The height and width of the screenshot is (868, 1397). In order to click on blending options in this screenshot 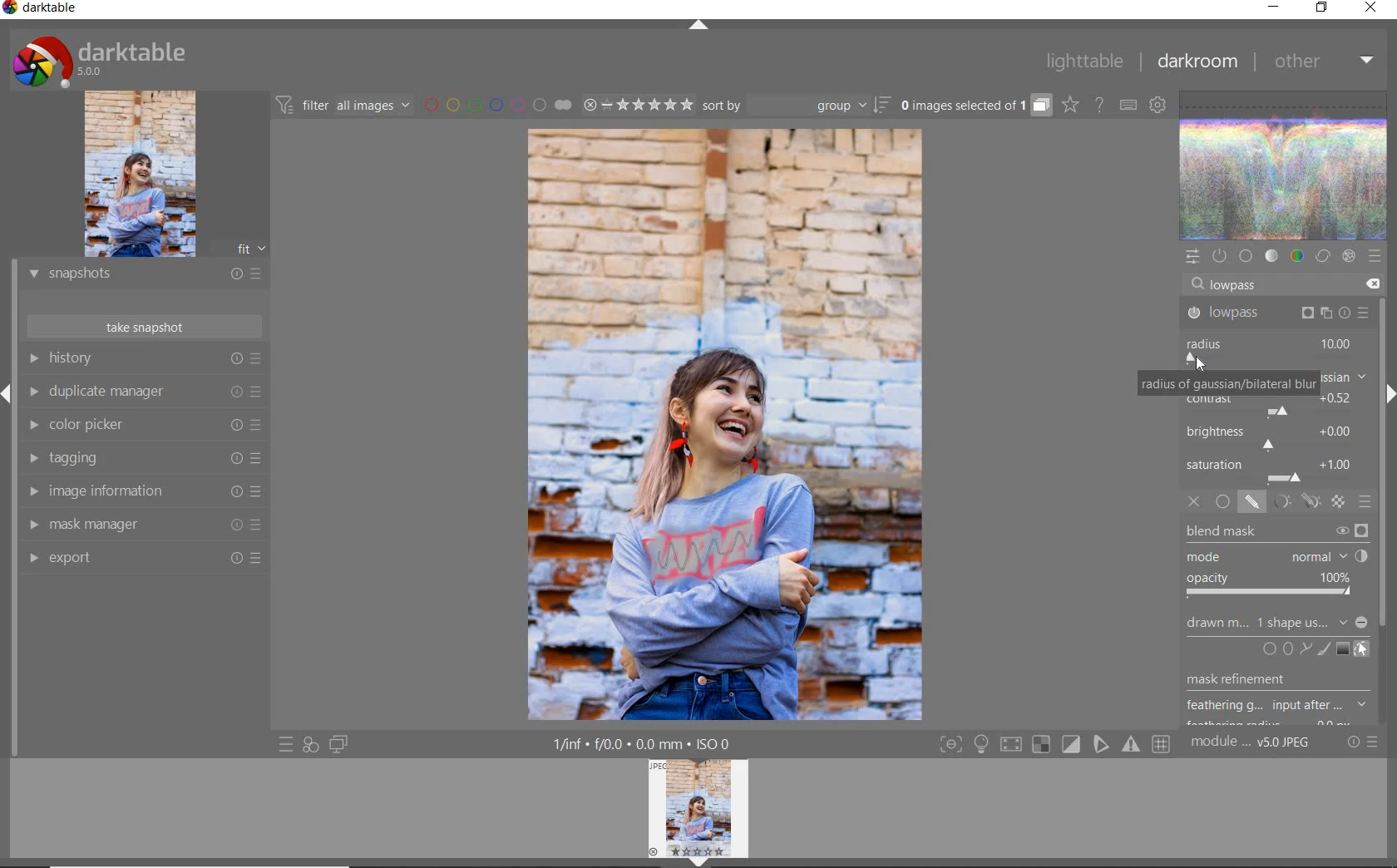, I will do `click(1365, 501)`.